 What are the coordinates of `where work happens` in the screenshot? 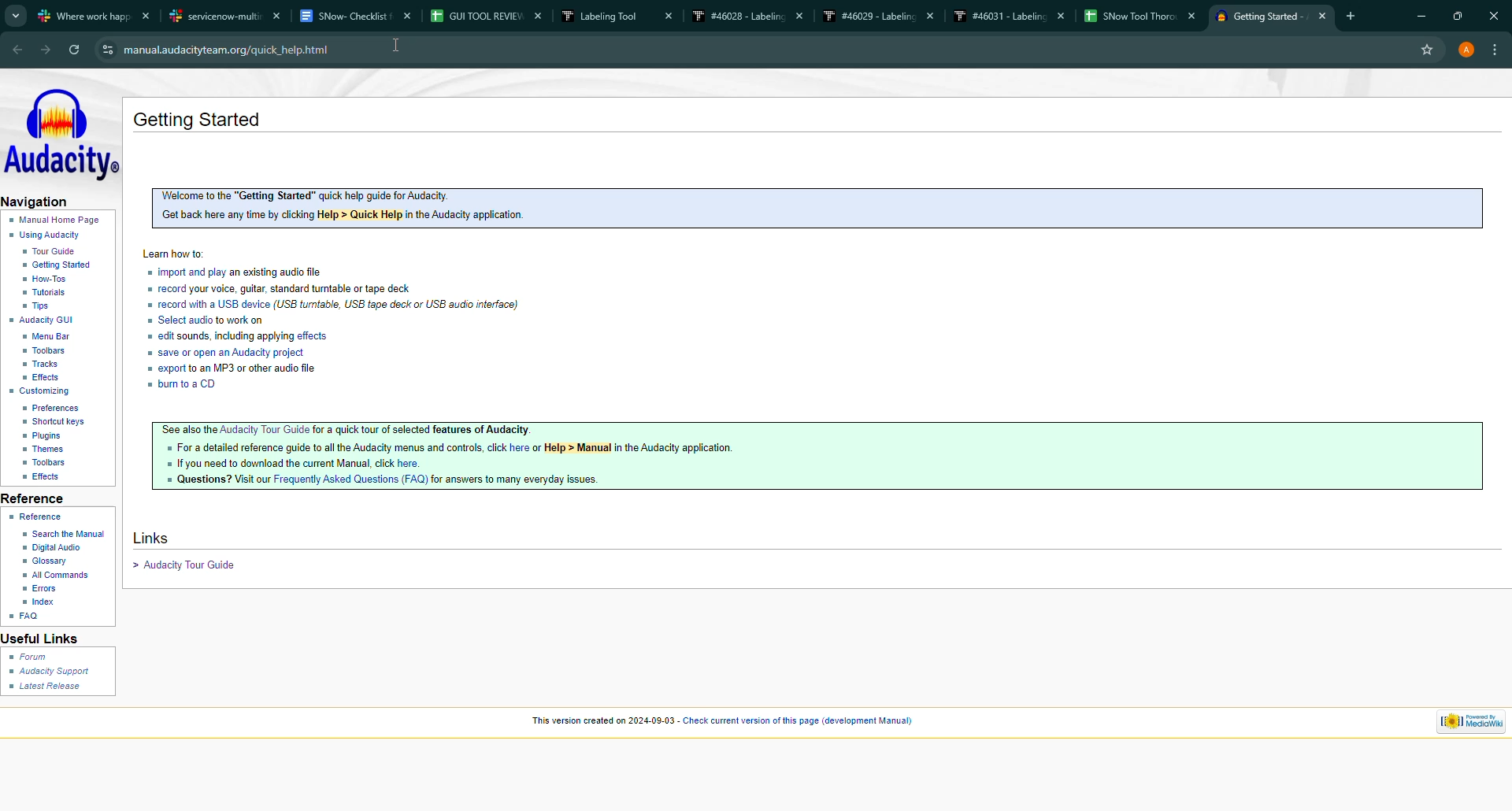 It's located at (93, 17).